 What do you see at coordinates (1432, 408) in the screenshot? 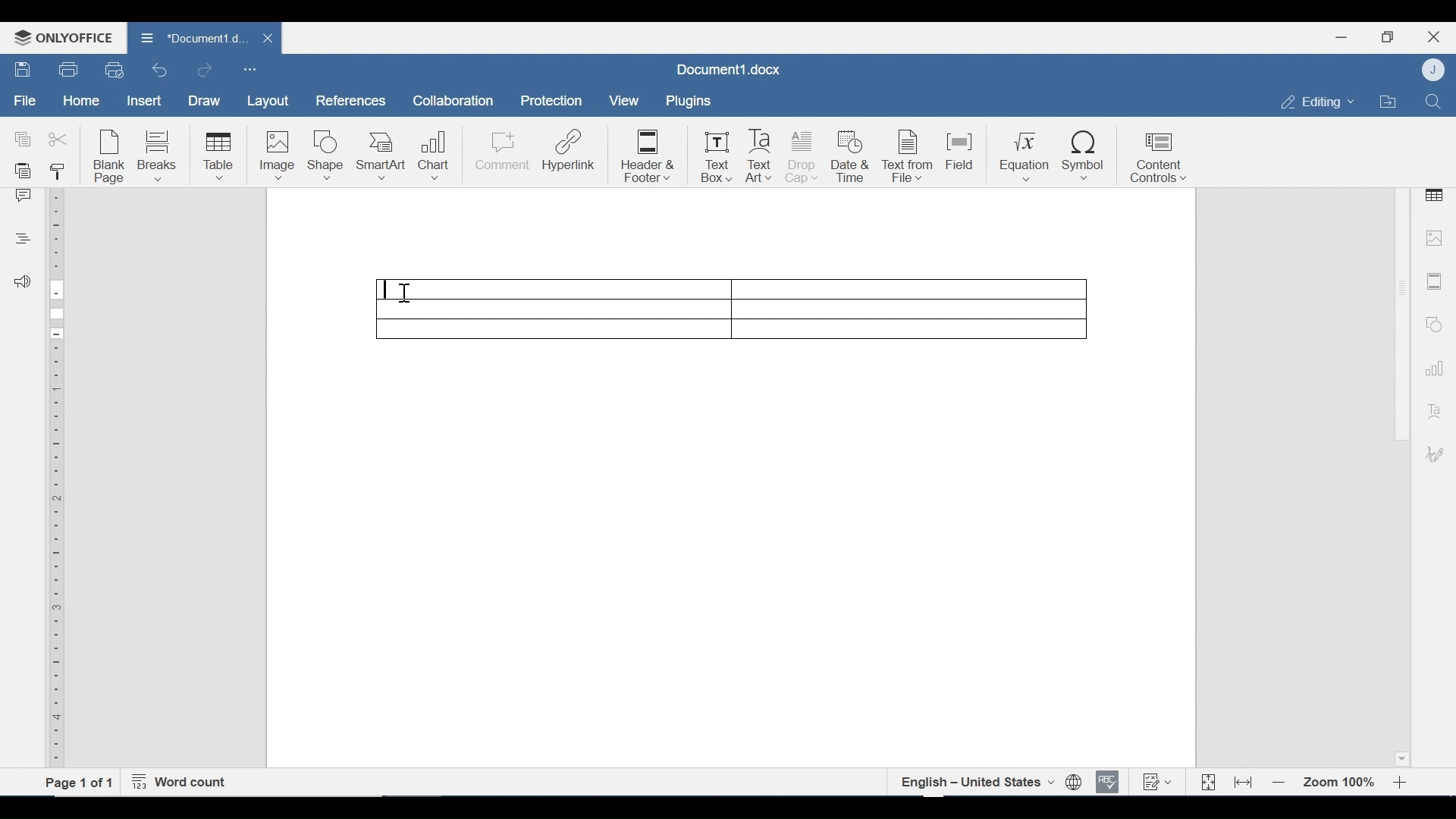
I see `Text Art` at bounding box center [1432, 408].